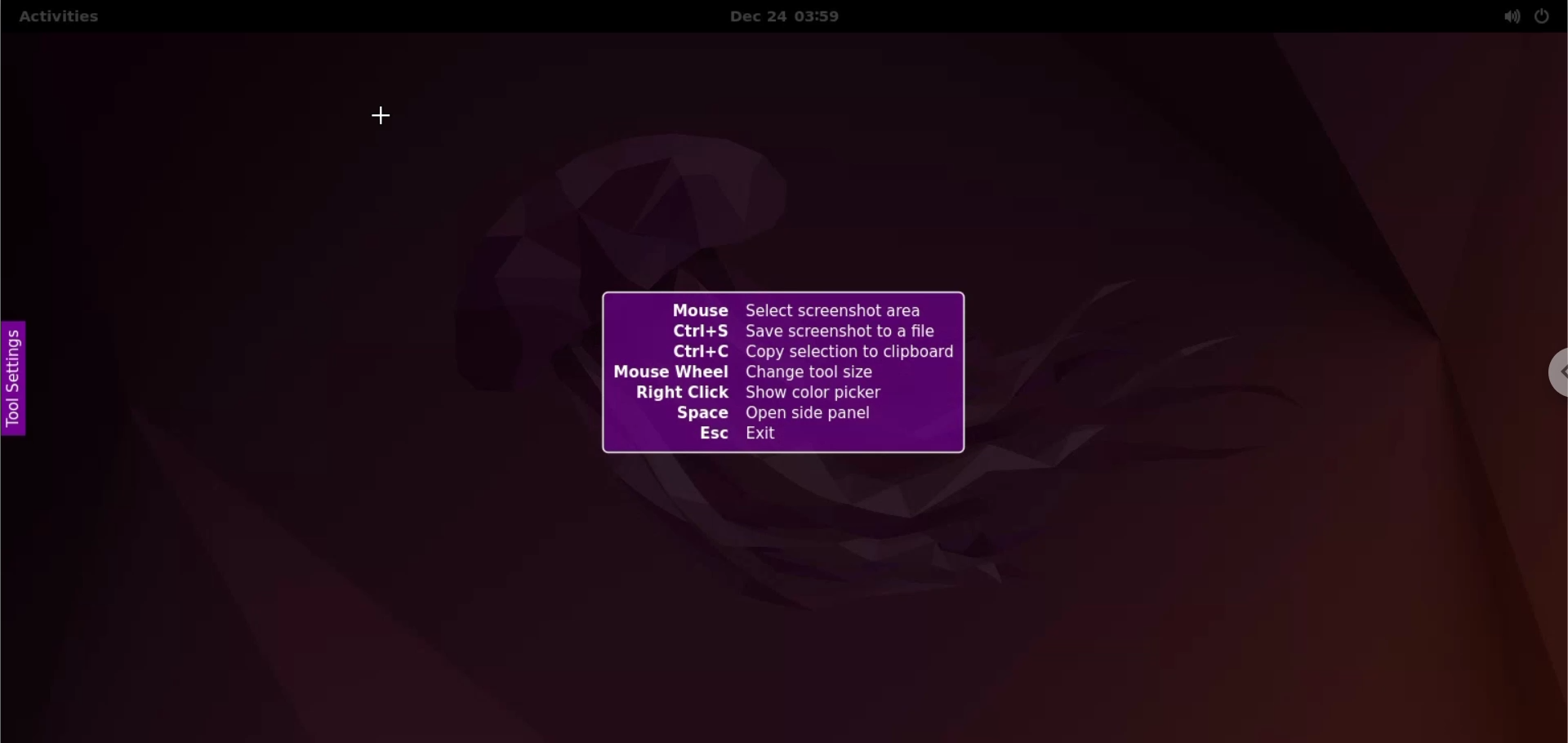 Image resolution: width=1568 pixels, height=743 pixels. I want to click on power options , so click(1545, 15).